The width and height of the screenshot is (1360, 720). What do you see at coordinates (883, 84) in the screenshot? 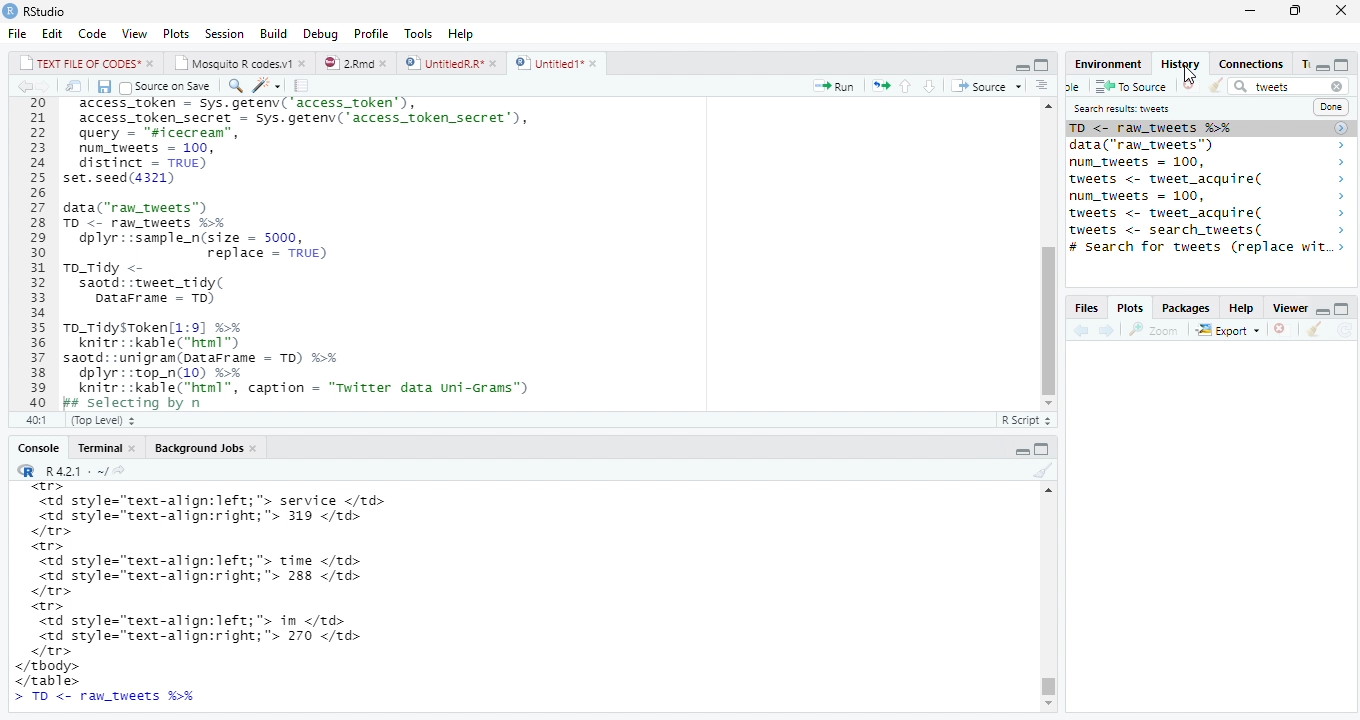
I see `rerun` at bounding box center [883, 84].